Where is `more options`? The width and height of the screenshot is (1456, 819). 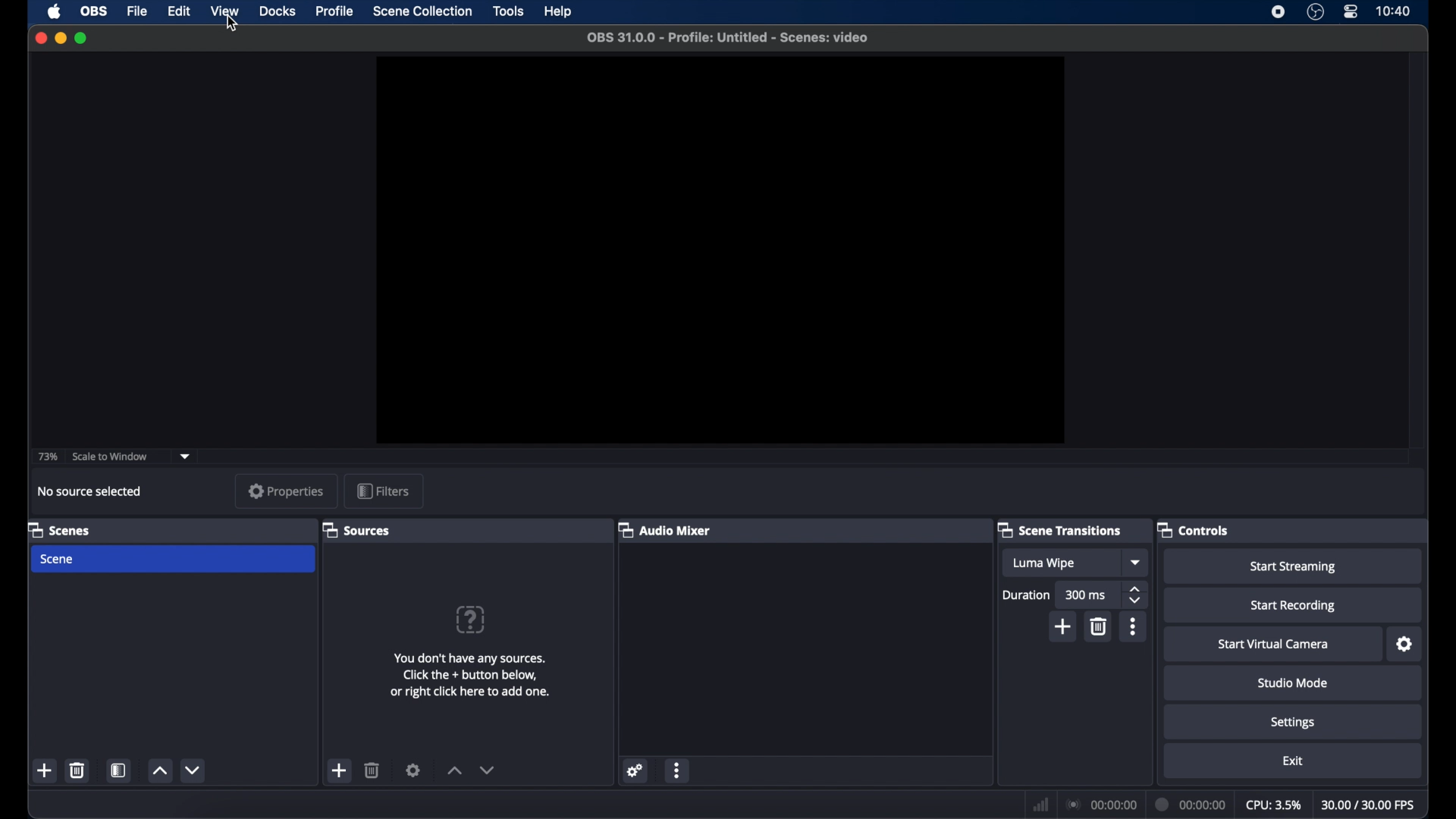
more options is located at coordinates (1133, 626).